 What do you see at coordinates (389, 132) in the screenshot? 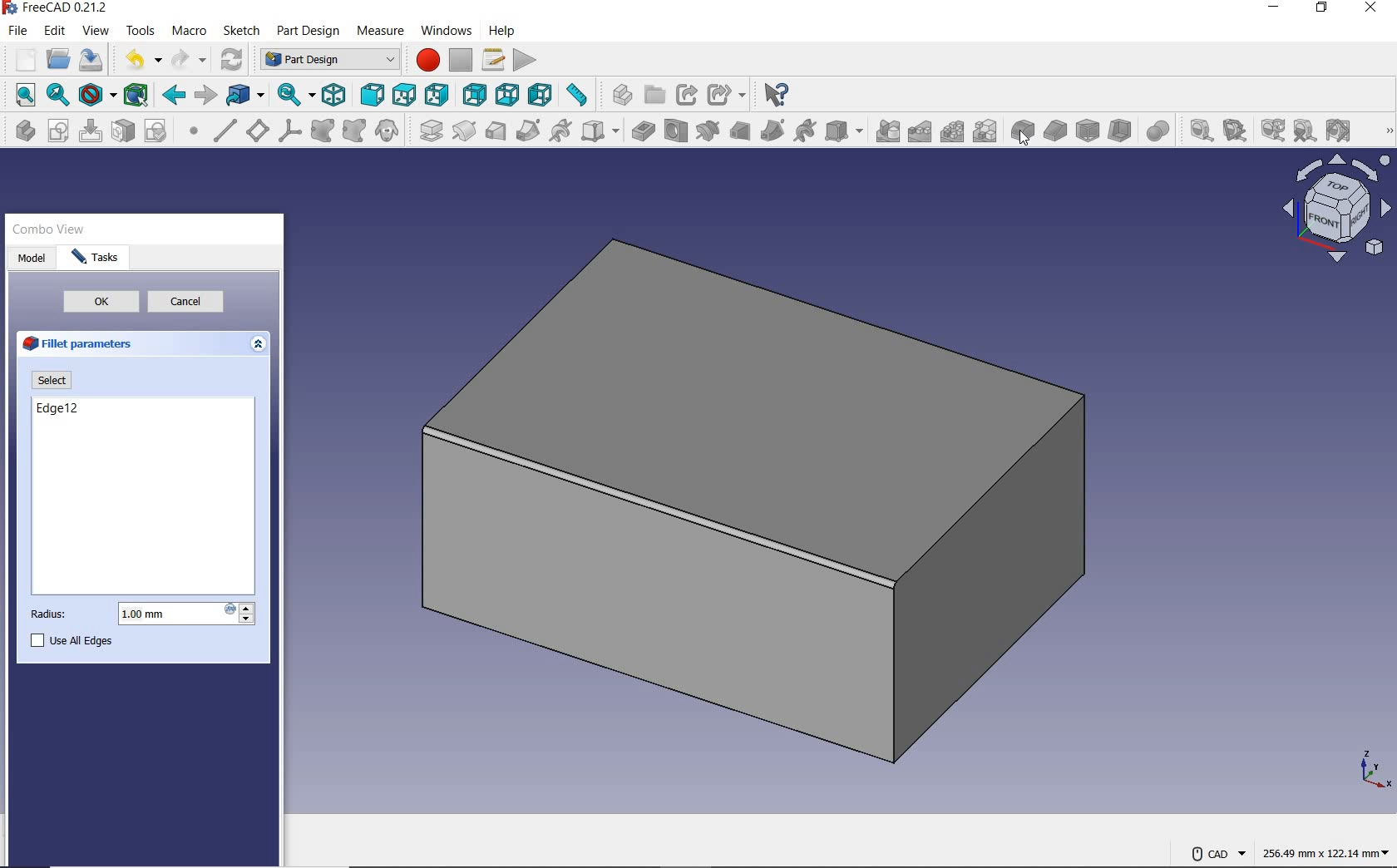
I see `create a clone` at bounding box center [389, 132].